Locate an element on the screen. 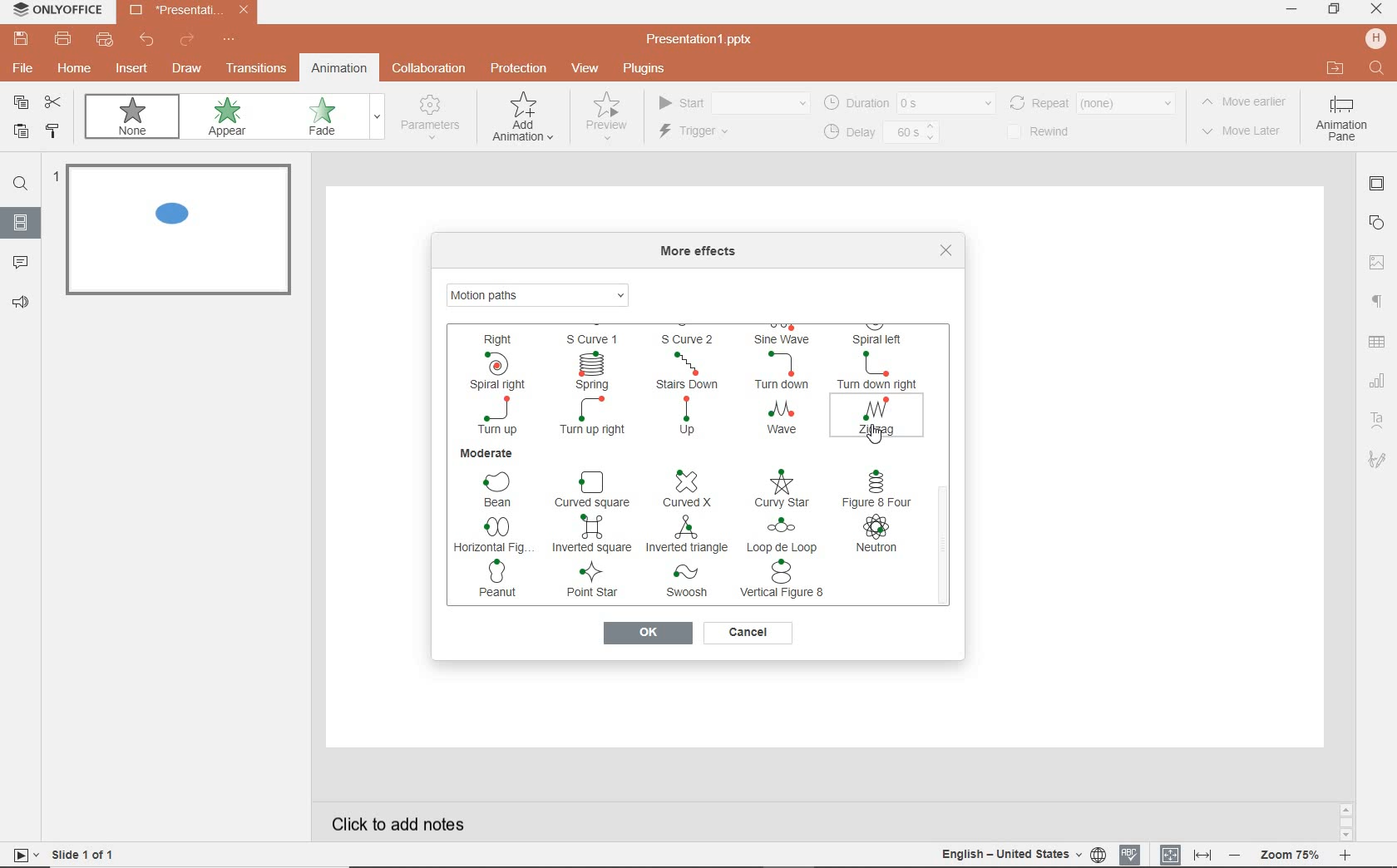  NEUTRON is located at coordinates (877, 535).